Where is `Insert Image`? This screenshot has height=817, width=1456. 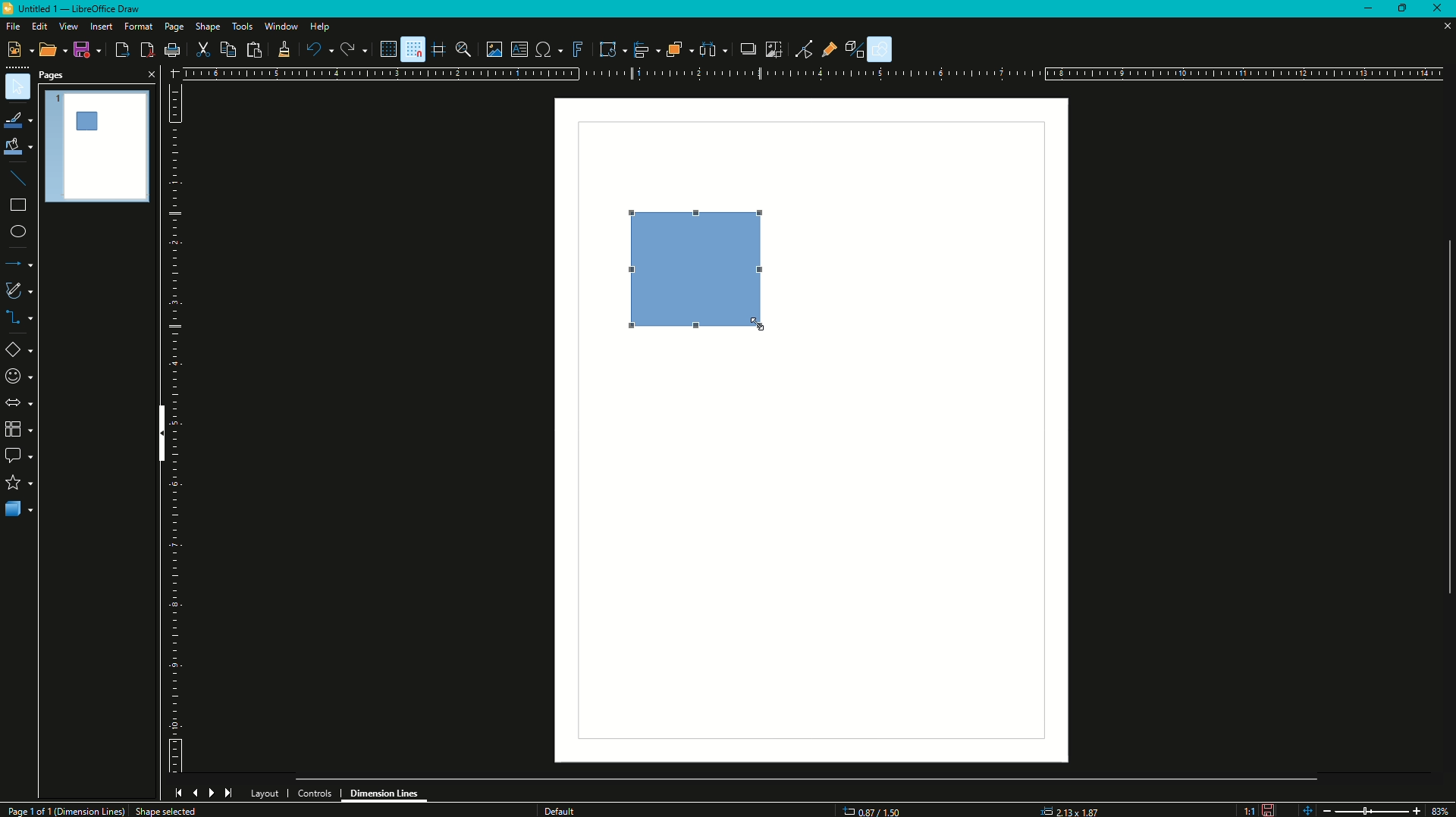 Insert Image is located at coordinates (494, 49).